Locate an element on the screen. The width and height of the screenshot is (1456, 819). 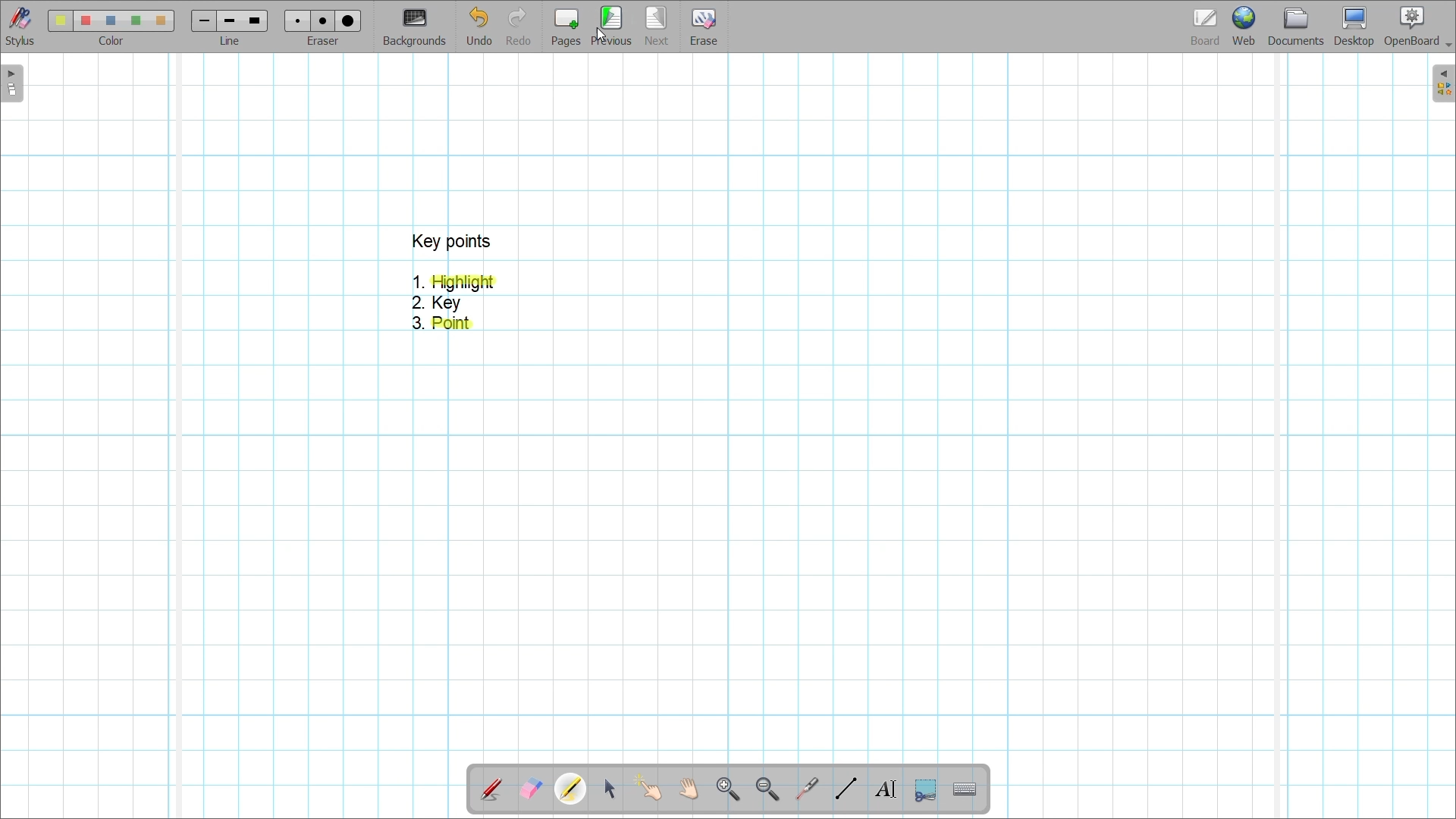
Change background is located at coordinates (414, 27).